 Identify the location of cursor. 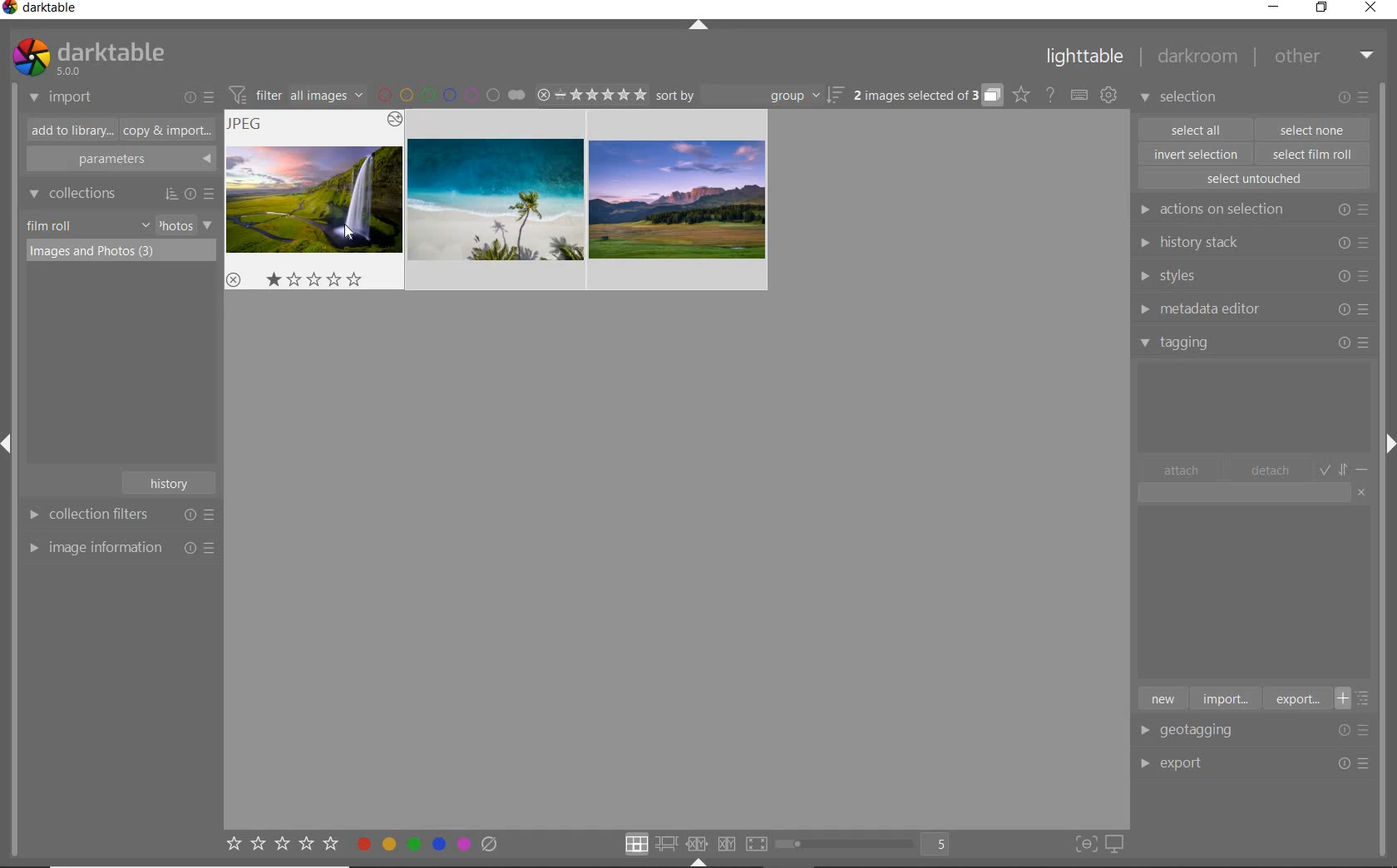
(345, 235).